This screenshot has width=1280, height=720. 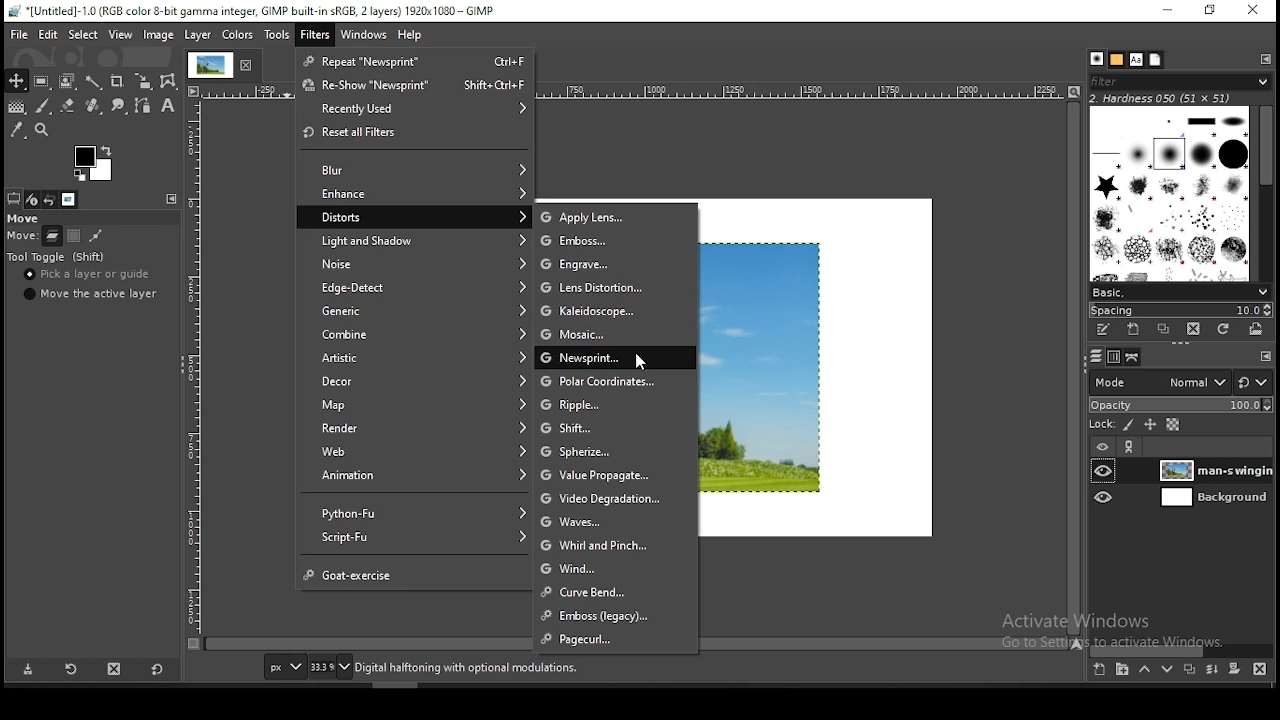 I want to click on delete tool preset, so click(x=113, y=669).